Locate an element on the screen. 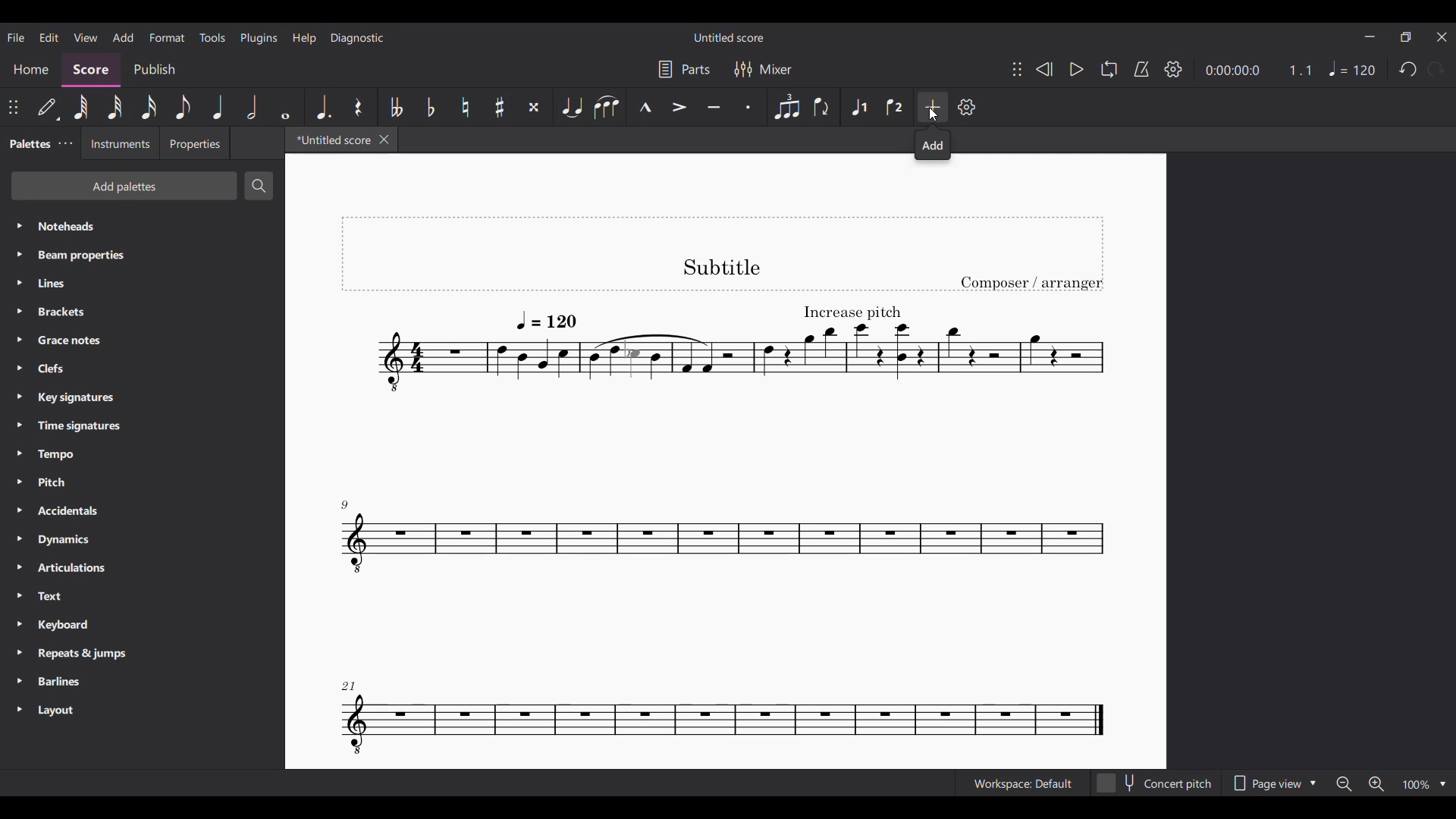 This screenshot has width=1456, height=819. Metronome is located at coordinates (1141, 69).